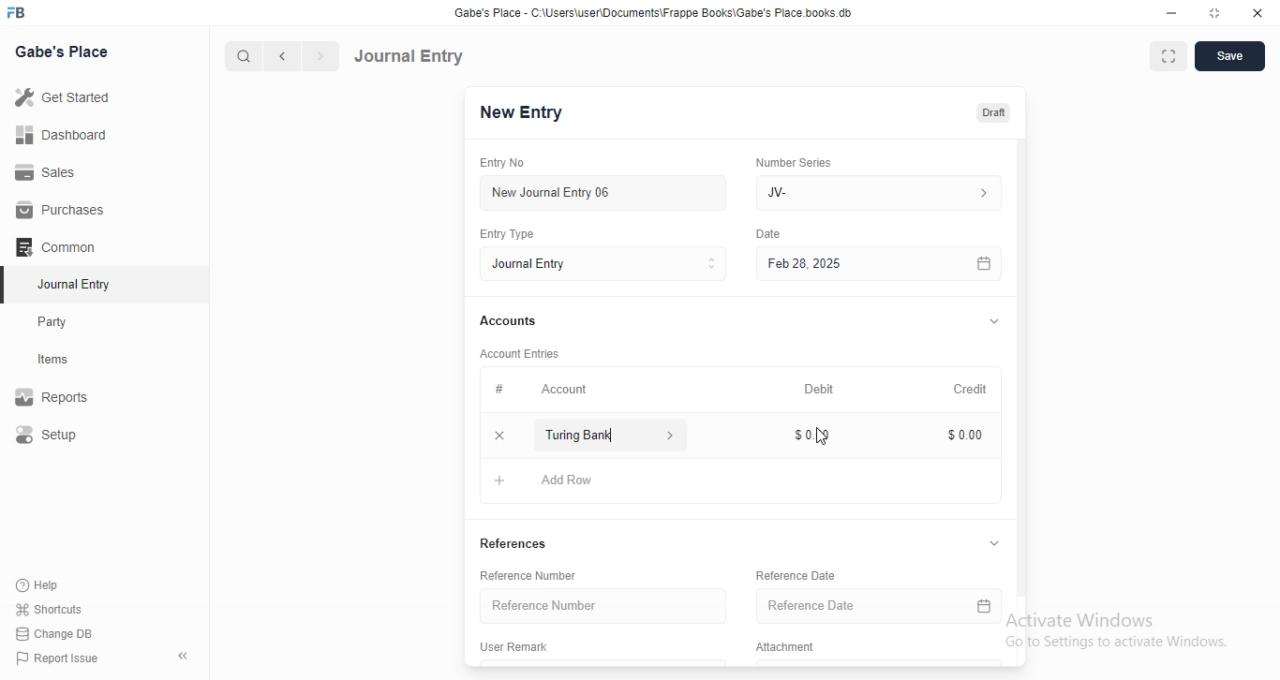 Image resolution: width=1280 pixels, height=680 pixels. I want to click on restore down, so click(1216, 15).